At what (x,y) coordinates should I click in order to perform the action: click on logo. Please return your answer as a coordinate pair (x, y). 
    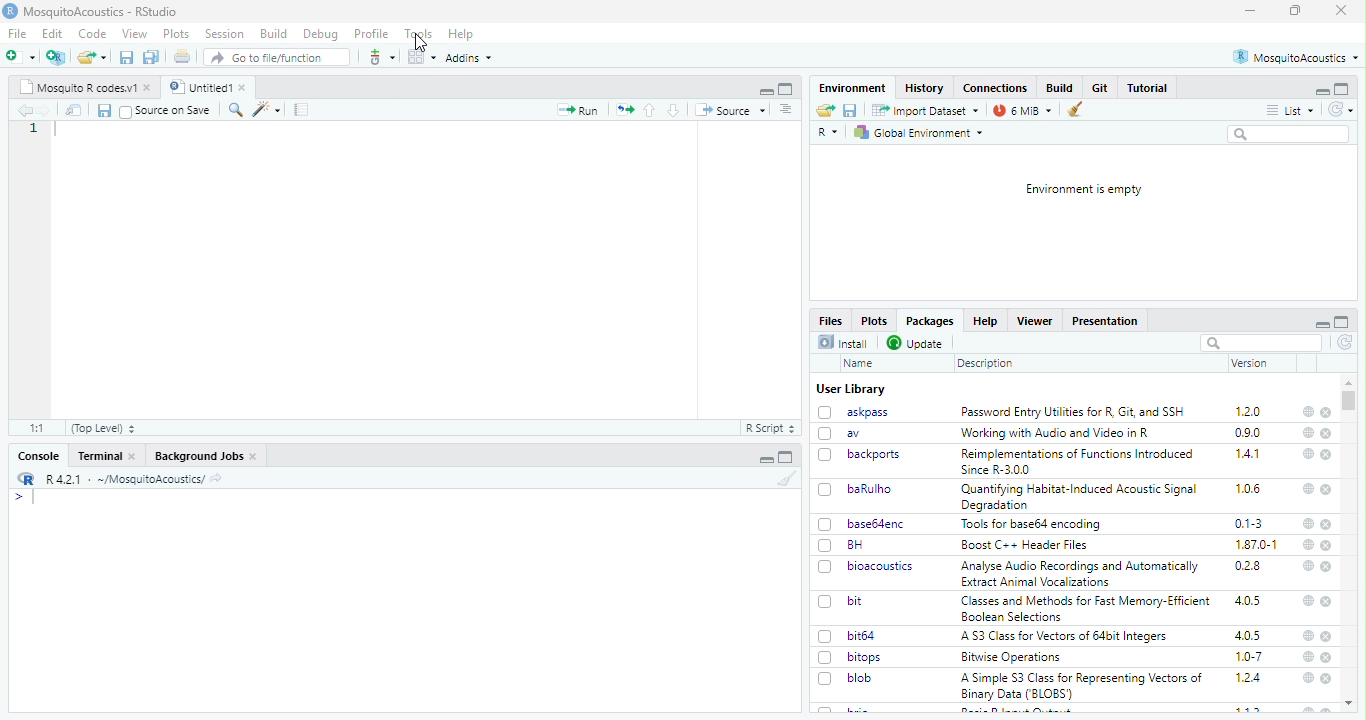
    Looking at the image, I should click on (10, 11).